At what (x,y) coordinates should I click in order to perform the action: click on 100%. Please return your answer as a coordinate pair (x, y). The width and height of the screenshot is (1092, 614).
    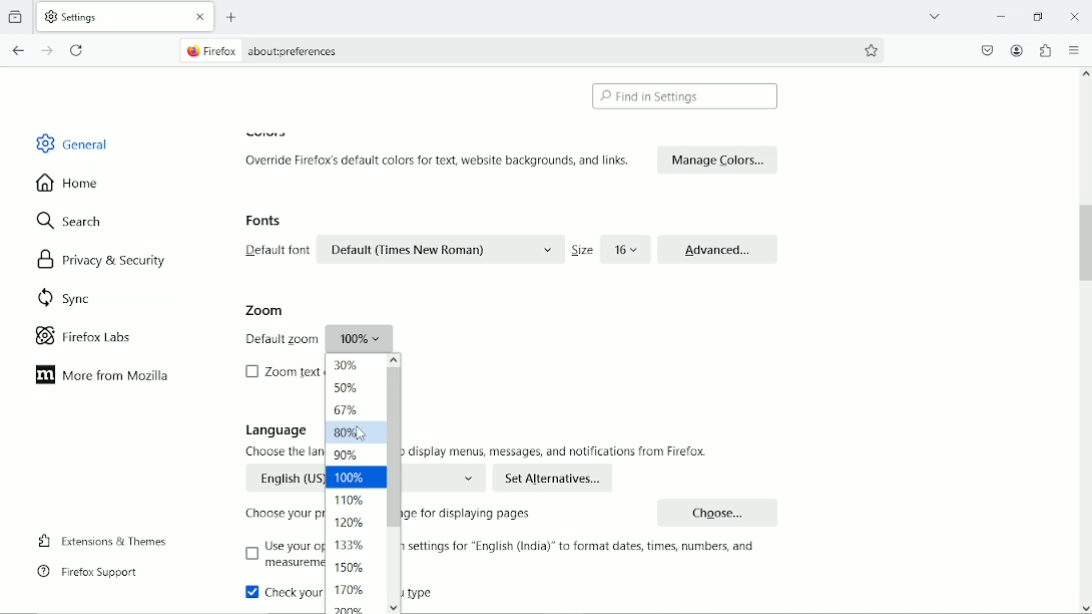
    Looking at the image, I should click on (315, 338).